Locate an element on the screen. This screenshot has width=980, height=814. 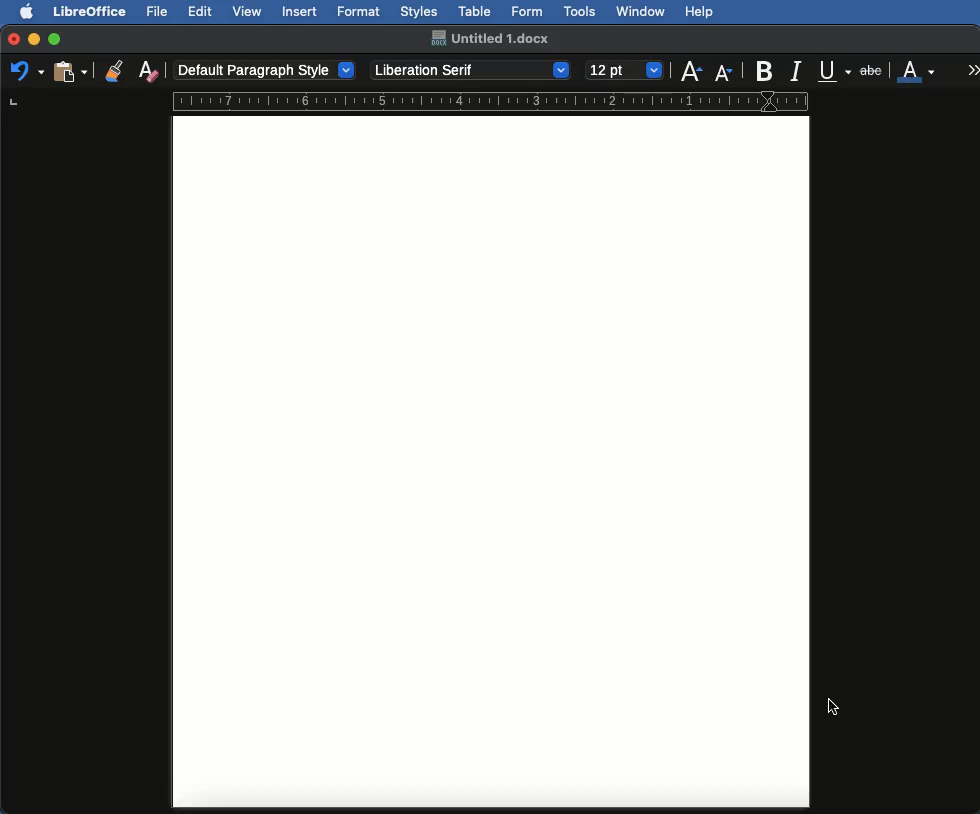
Italics is located at coordinates (799, 69).